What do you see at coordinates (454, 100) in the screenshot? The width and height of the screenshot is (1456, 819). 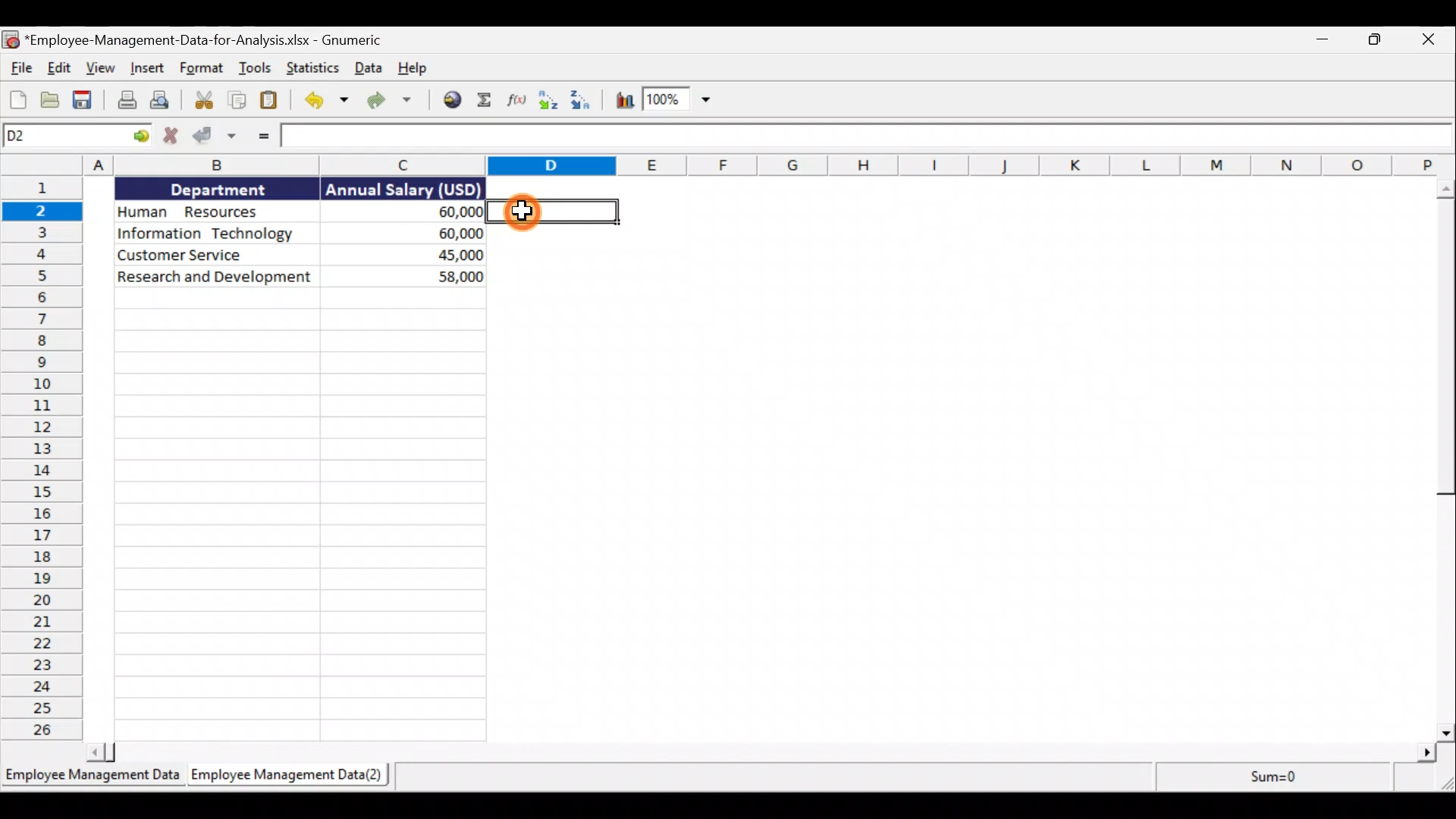 I see `Insert a hyperlink` at bounding box center [454, 100].